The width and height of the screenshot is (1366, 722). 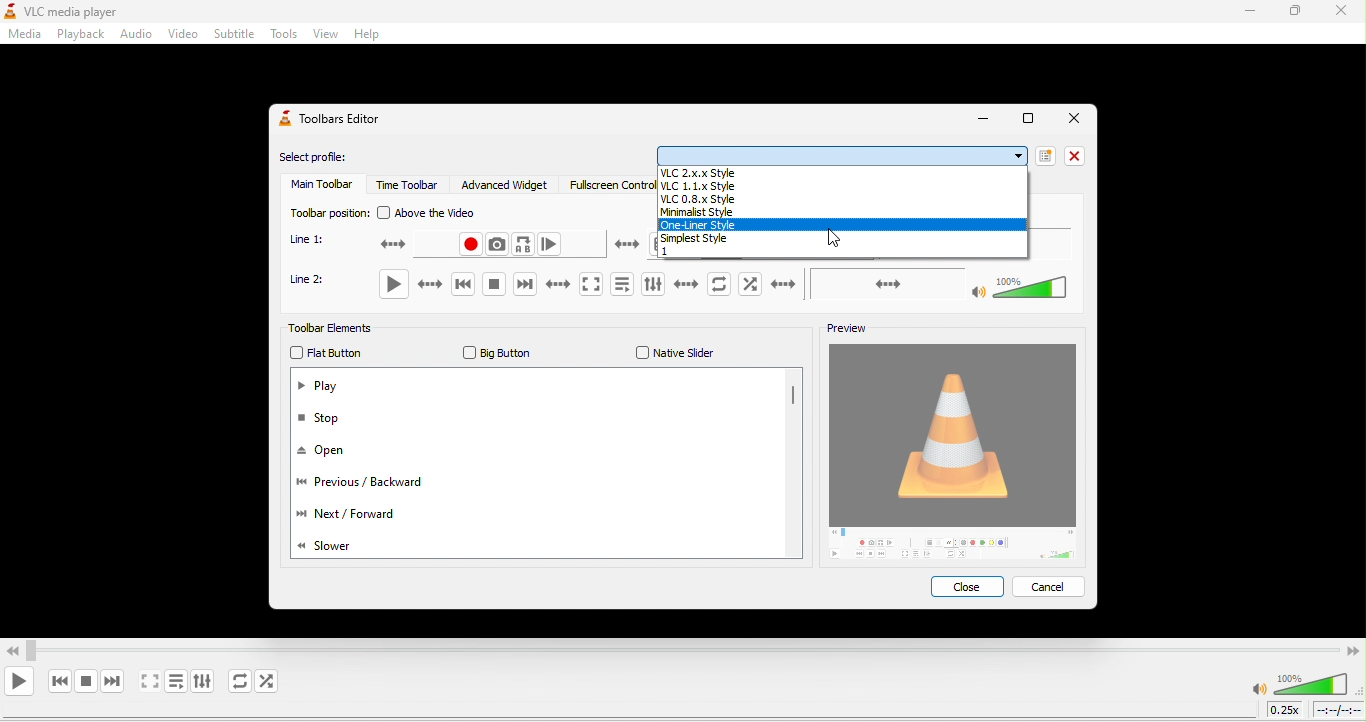 What do you see at coordinates (137, 34) in the screenshot?
I see `audio` at bounding box center [137, 34].